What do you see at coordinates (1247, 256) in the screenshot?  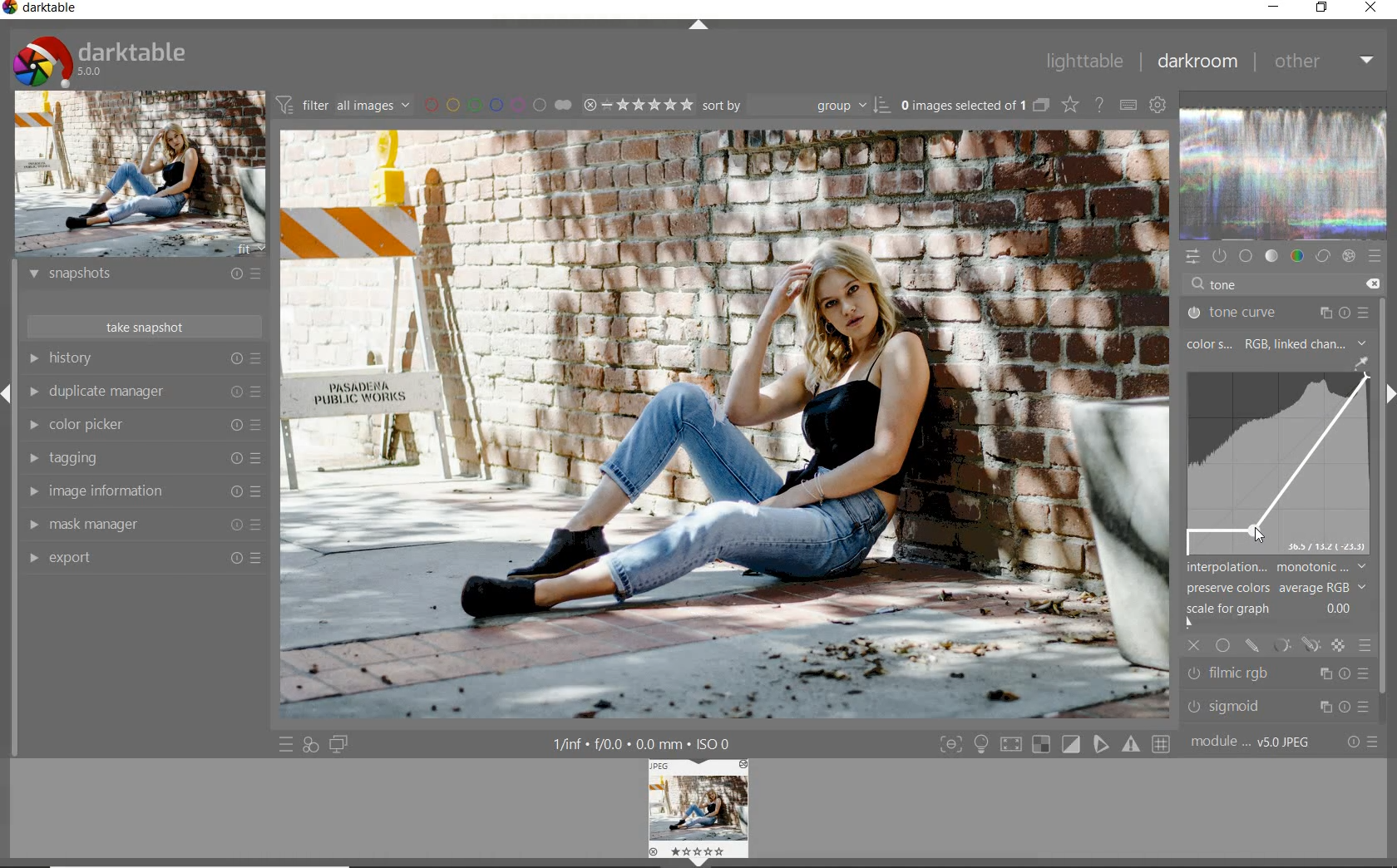 I see `base` at bounding box center [1247, 256].